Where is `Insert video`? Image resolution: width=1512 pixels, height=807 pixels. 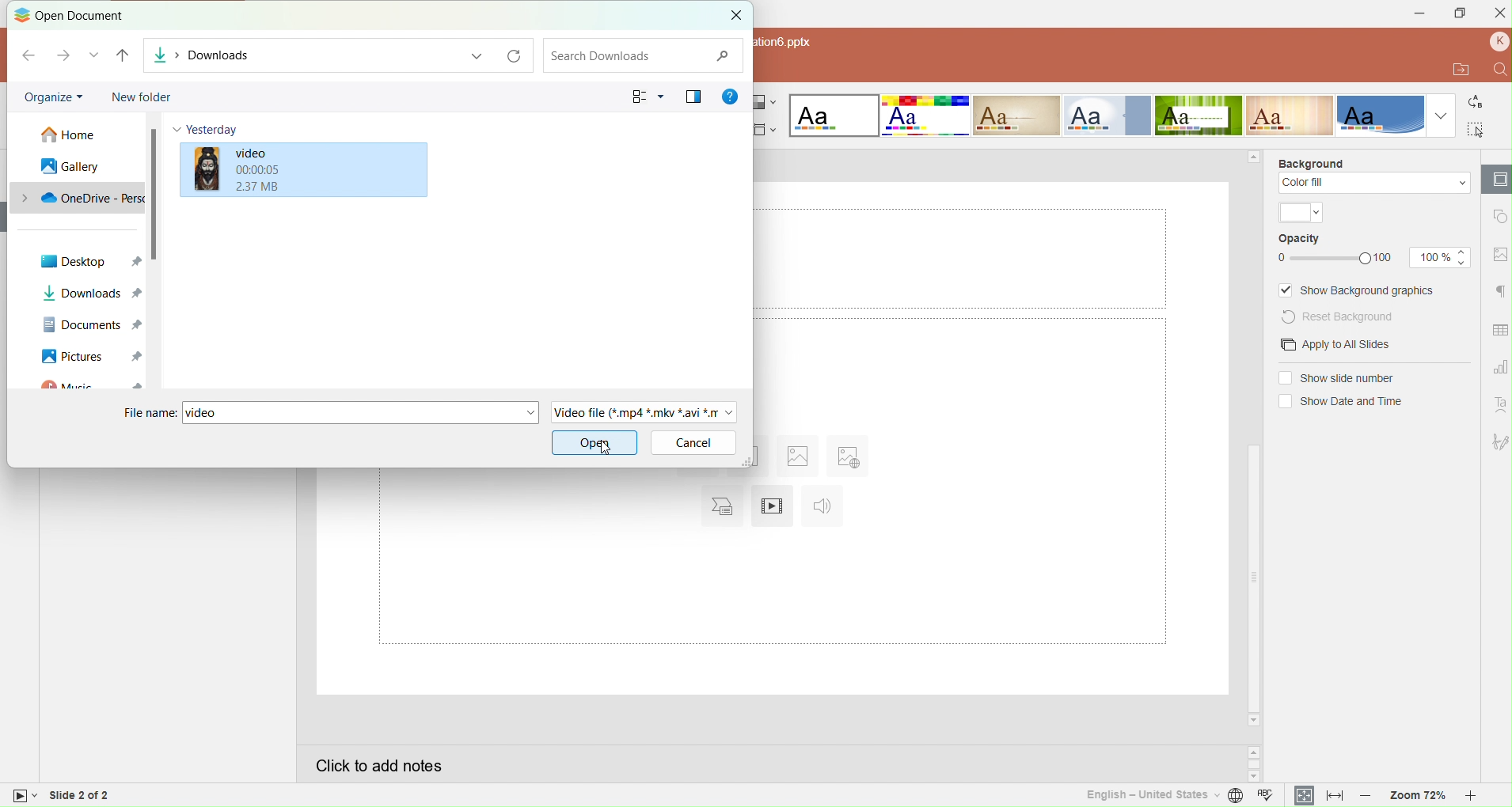 Insert video is located at coordinates (772, 508).